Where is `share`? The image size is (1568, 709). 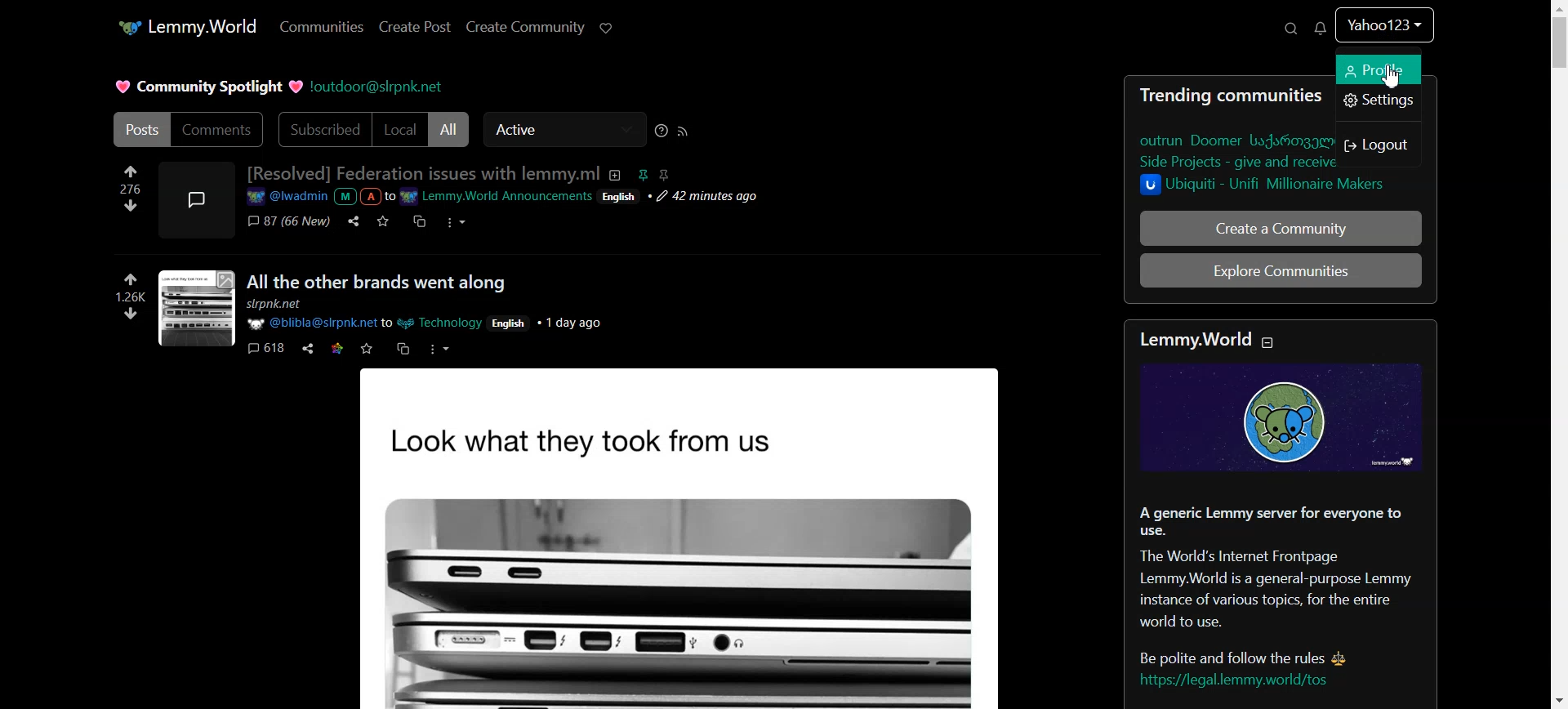 share is located at coordinates (309, 349).